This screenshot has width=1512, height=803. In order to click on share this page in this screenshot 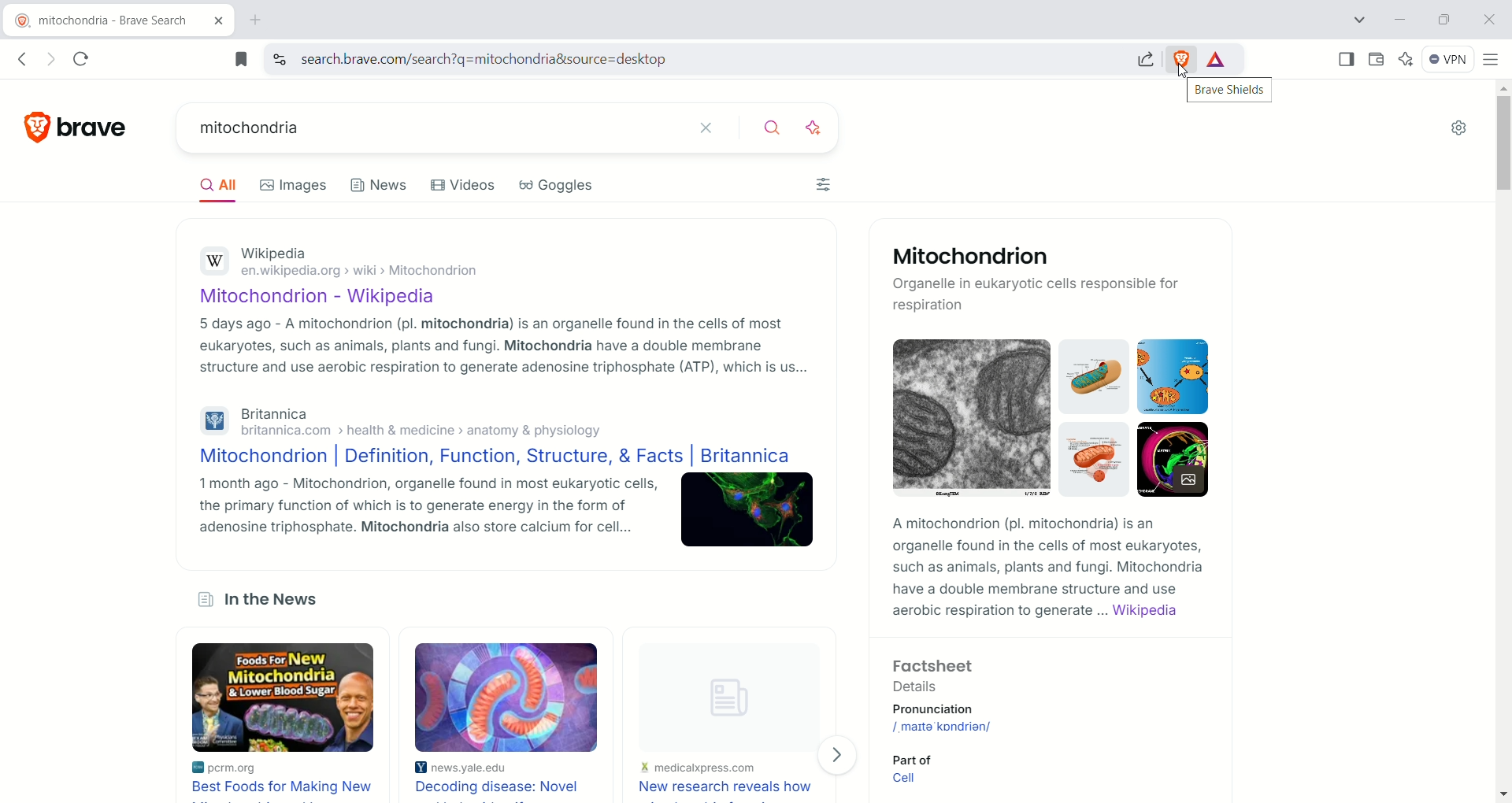, I will do `click(1144, 57)`.